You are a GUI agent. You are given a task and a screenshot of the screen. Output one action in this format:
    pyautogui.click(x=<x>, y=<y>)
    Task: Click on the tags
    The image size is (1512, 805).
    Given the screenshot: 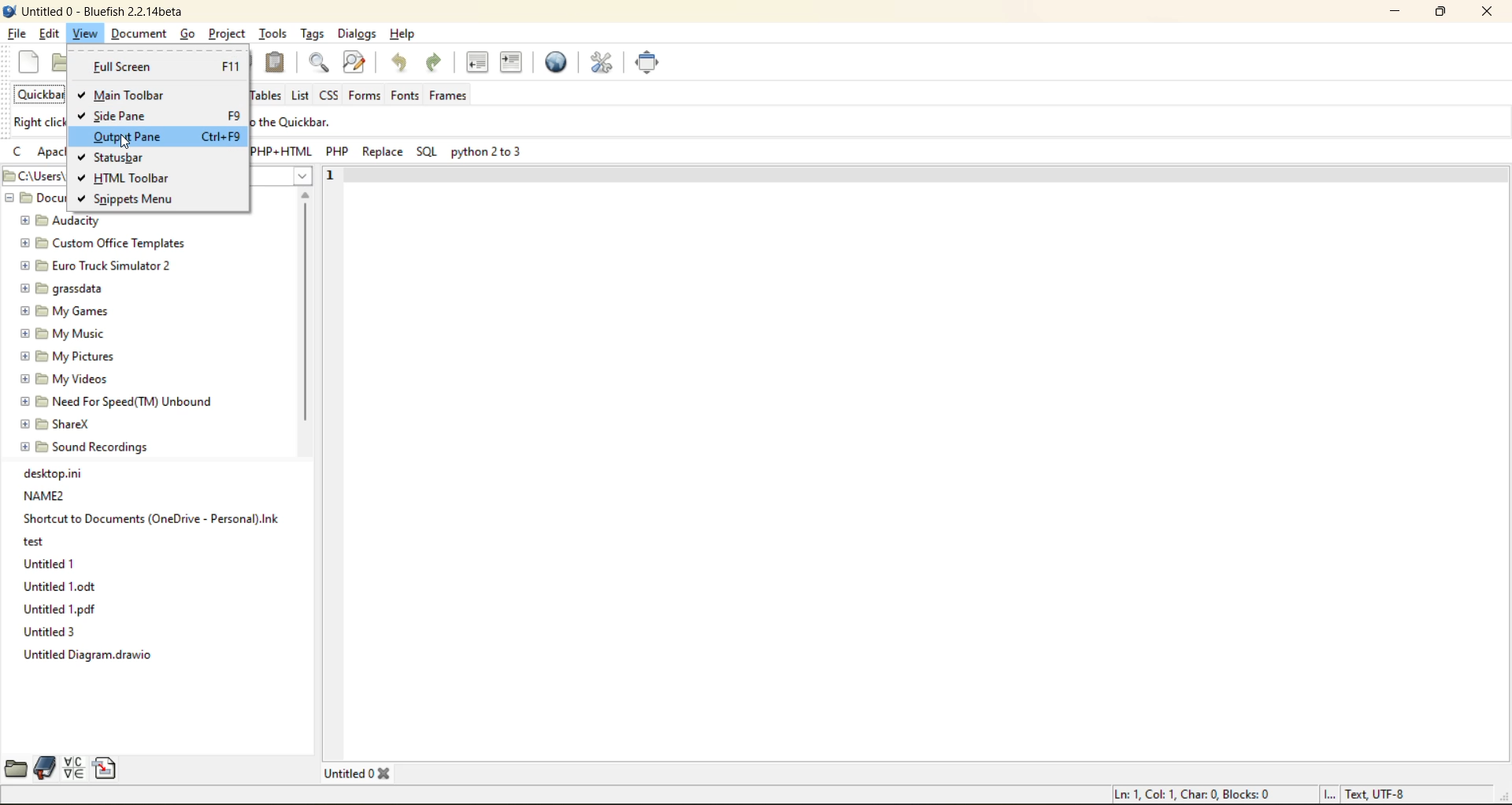 What is the action you would take?
    pyautogui.click(x=309, y=34)
    